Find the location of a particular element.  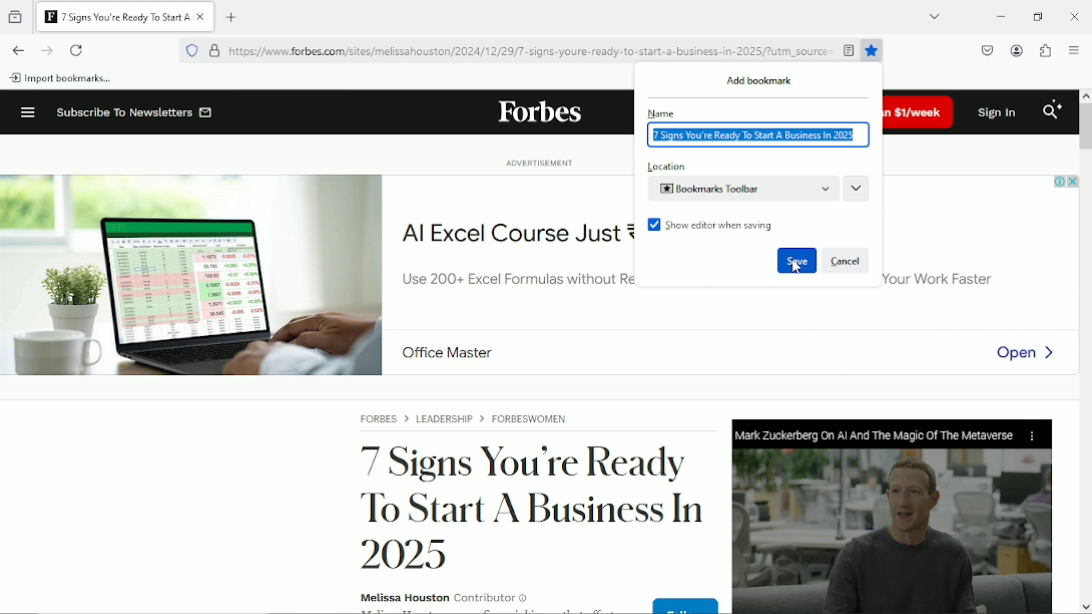

Go back is located at coordinates (17, 50).